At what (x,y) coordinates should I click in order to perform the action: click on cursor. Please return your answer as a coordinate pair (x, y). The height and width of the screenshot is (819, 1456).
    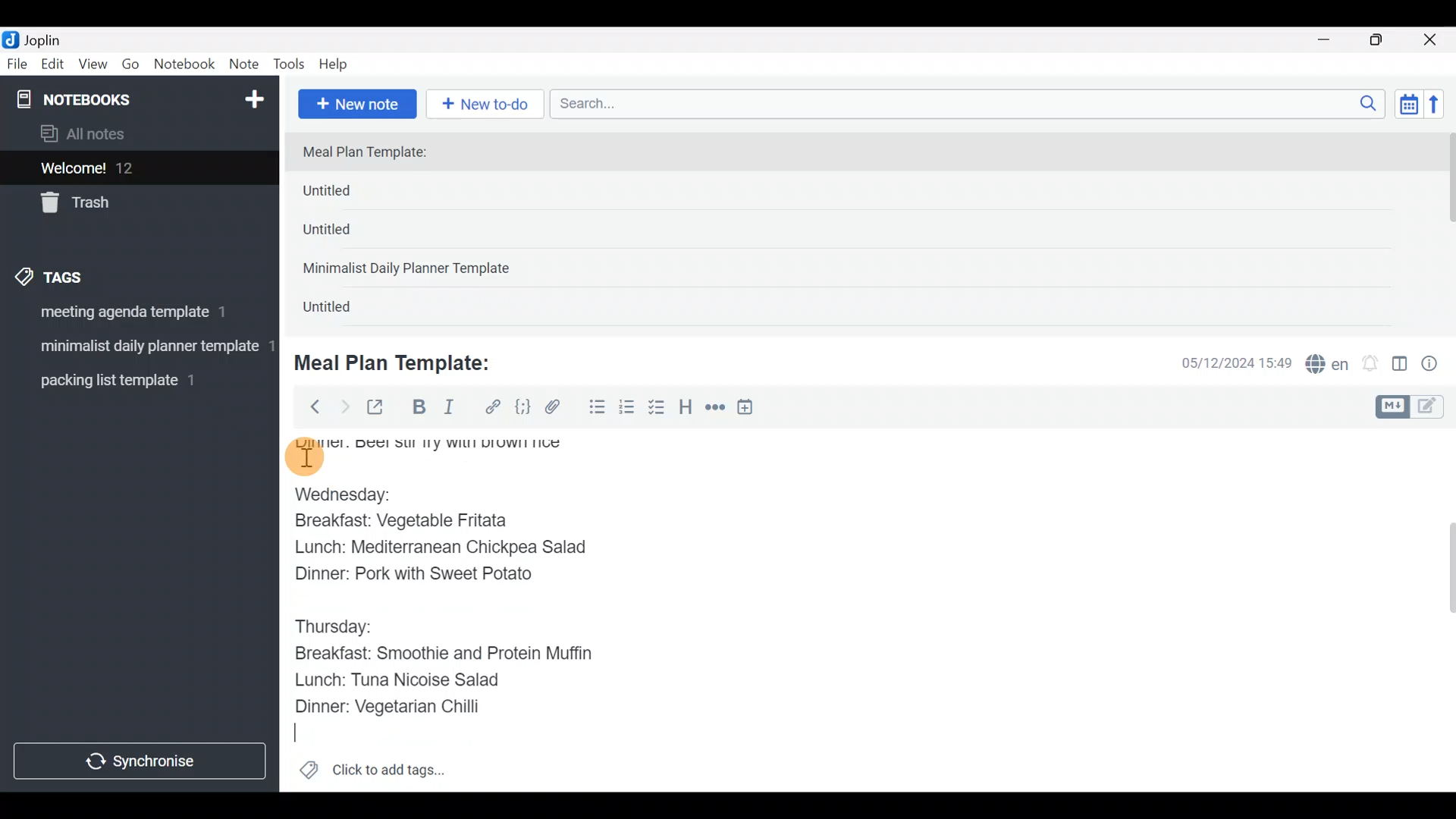
    Looking at the image, I should click on (303, 457).